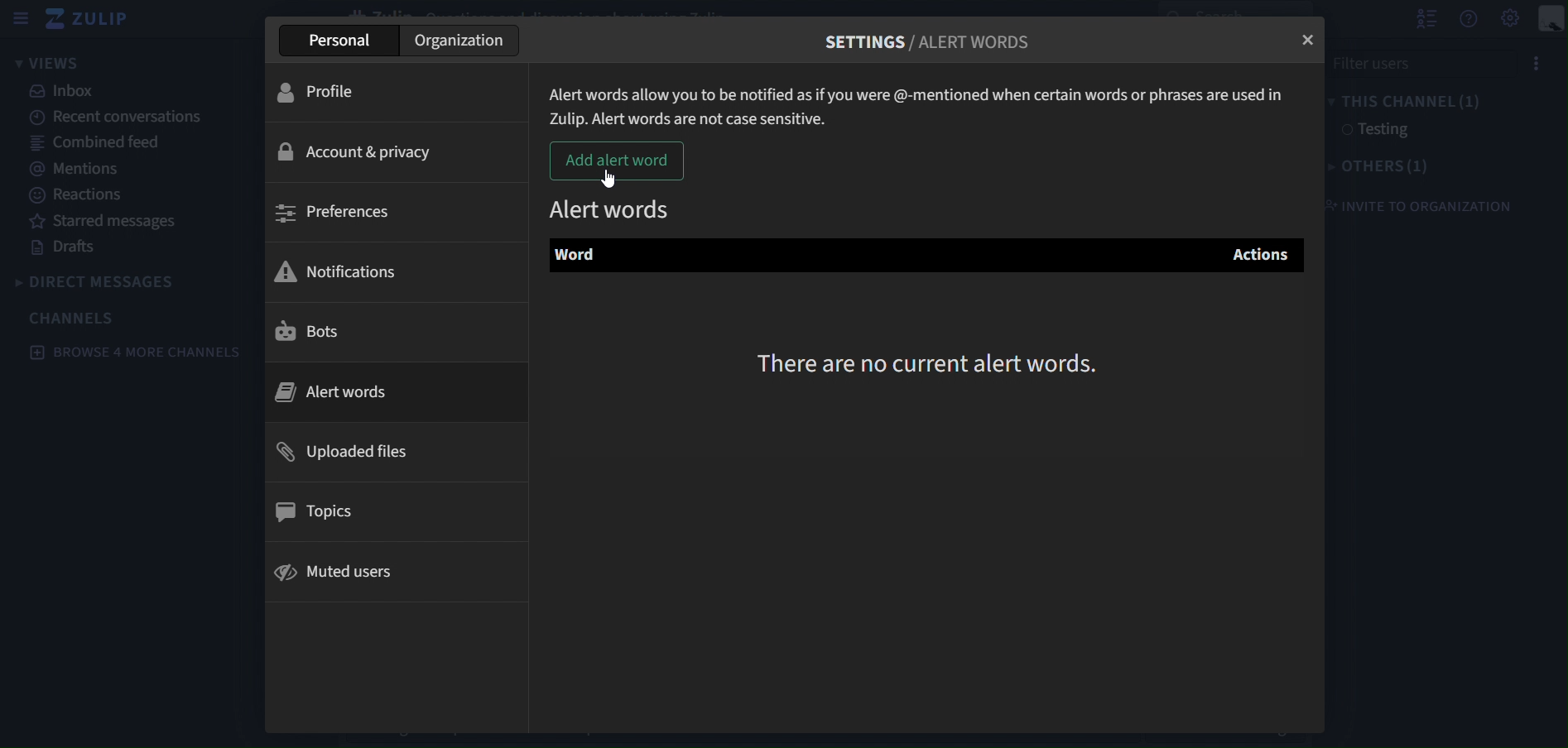 This screenshot has width=1568, height=748. Describe the element at coordinates (352, 390) in the screenshot. I see `alert words` at that location.